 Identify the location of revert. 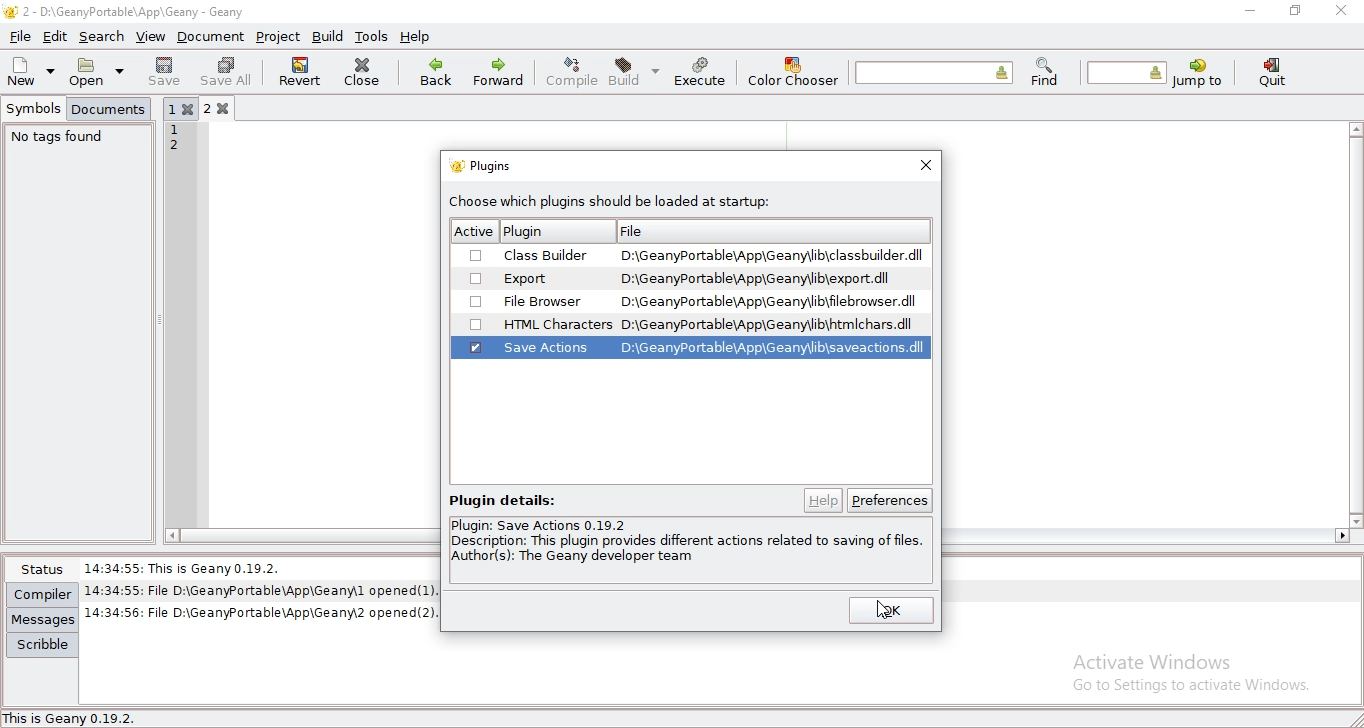
(299, 71).